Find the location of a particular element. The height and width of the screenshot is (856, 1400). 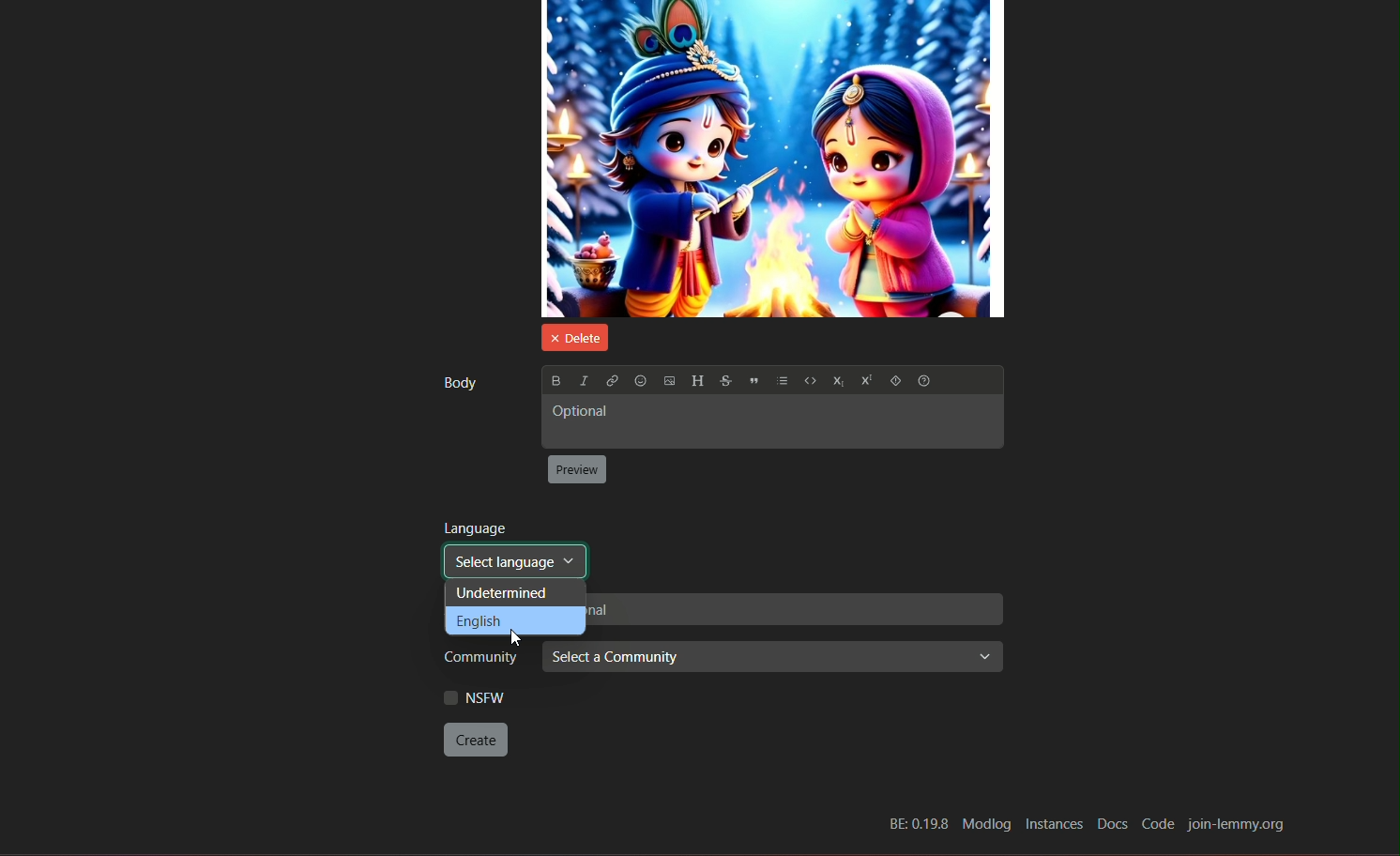

Preview is located at coordinates (578, 470).